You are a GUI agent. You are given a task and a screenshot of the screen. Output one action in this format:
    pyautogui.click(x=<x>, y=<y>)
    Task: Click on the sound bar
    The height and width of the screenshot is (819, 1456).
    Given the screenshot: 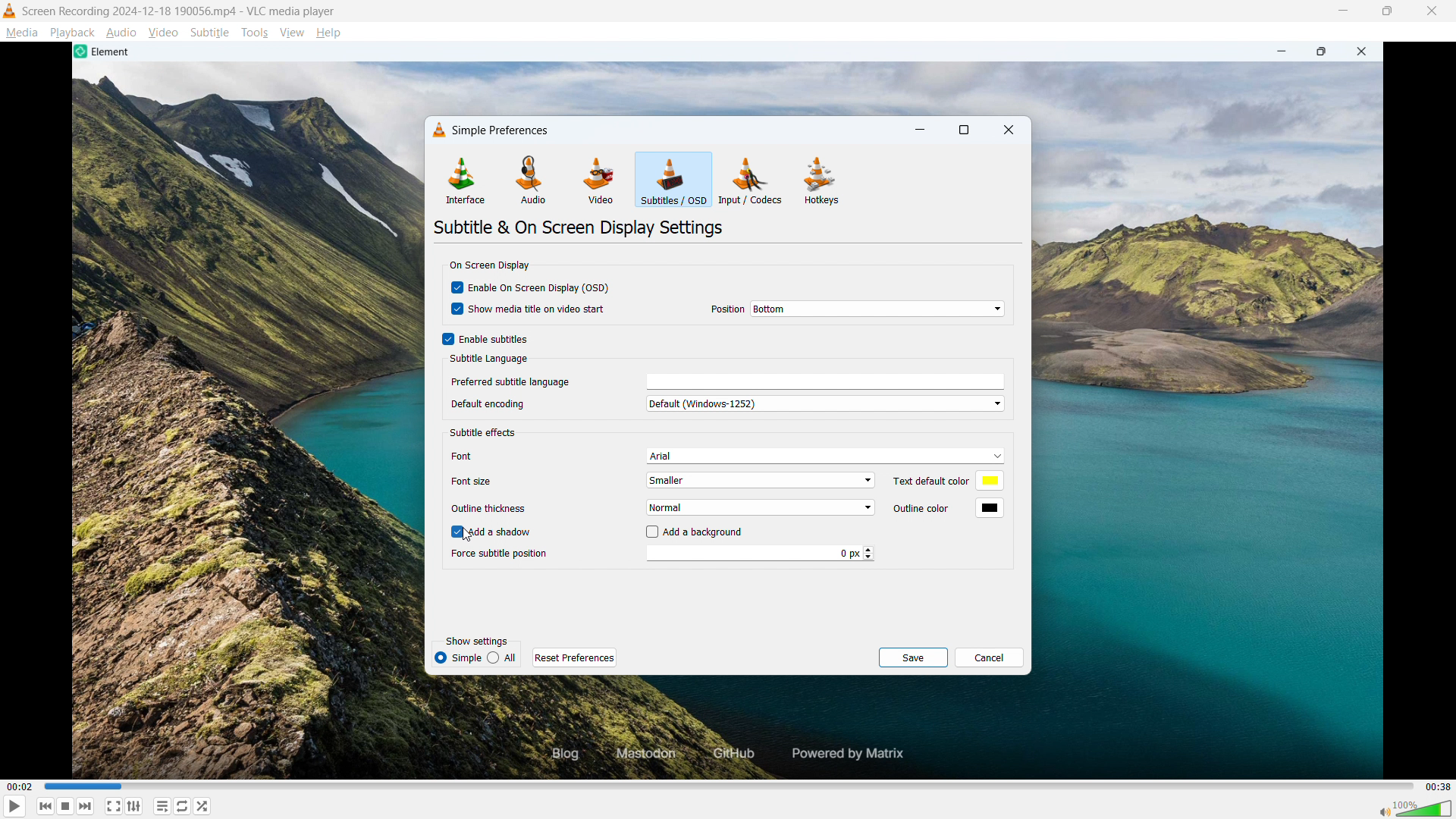 What is the action you would take?
    pyautogui.click(x=1414, y=808)
    